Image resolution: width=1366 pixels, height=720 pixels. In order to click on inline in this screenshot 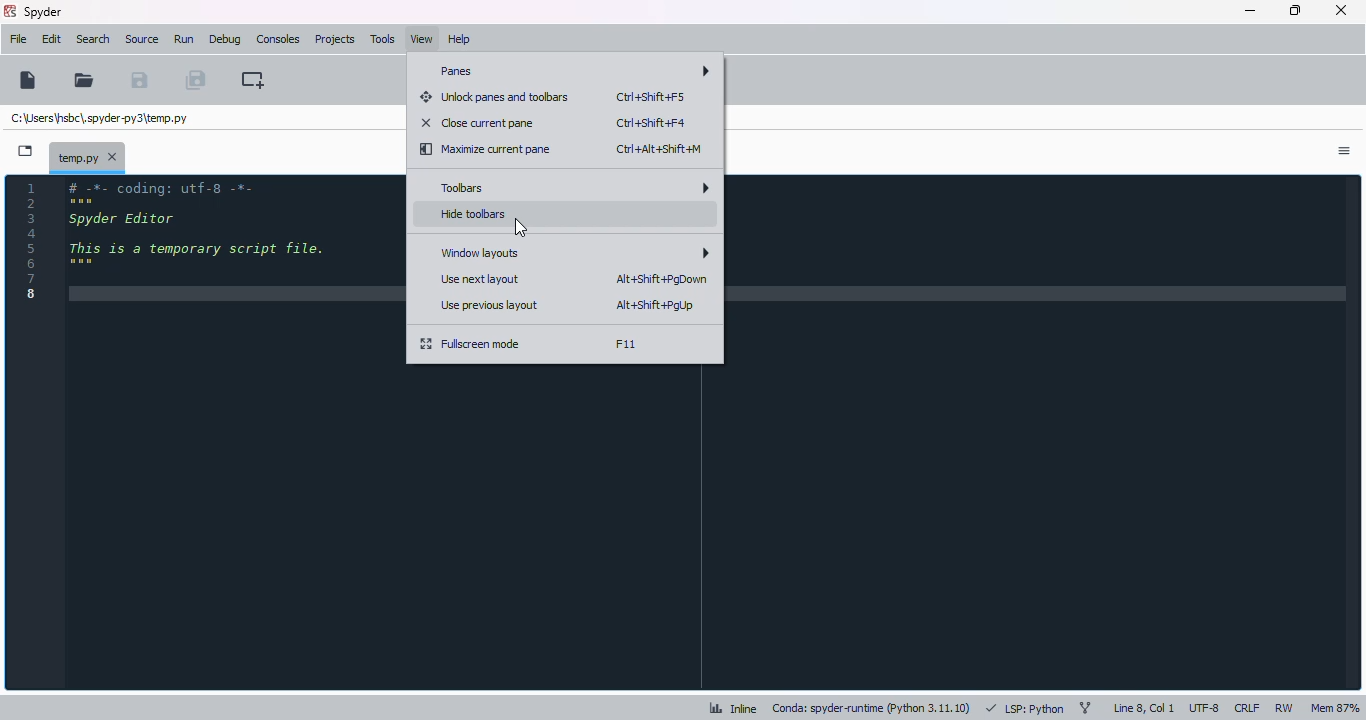, I will do `click(732, 708)`.